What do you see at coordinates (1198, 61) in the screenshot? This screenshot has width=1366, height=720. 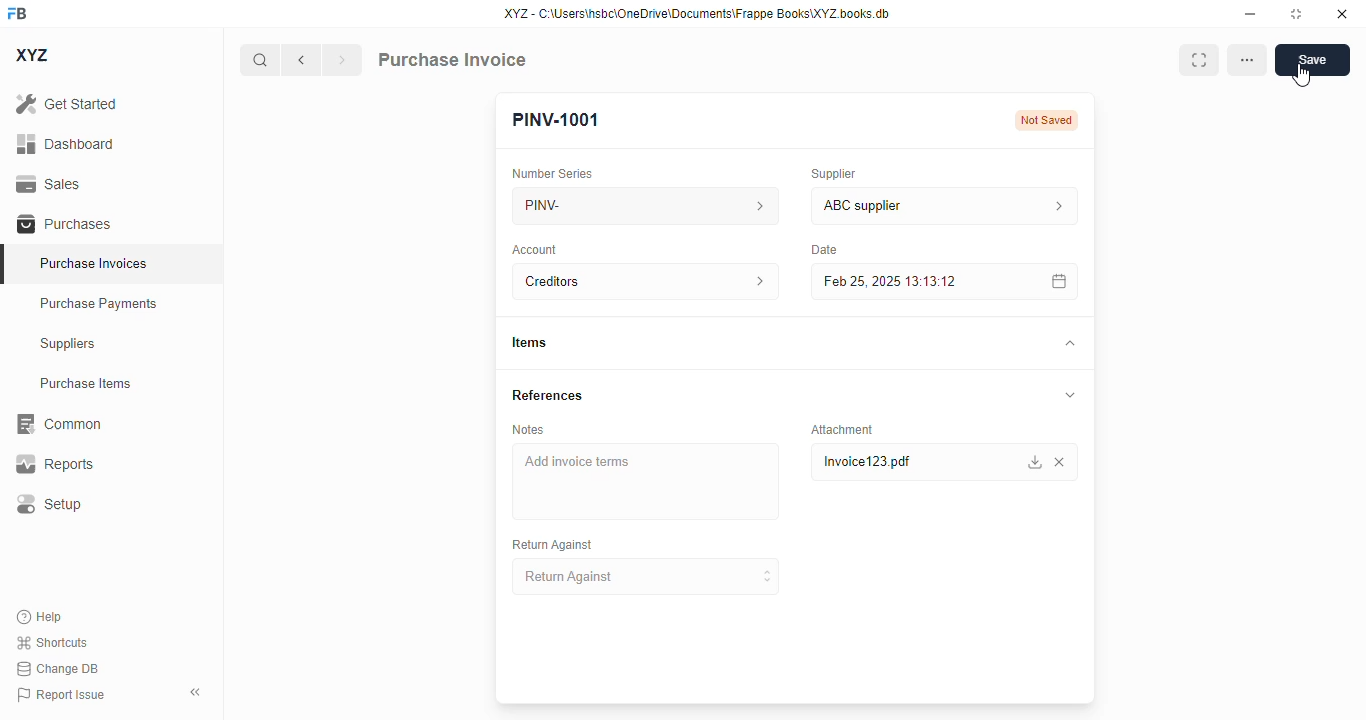 I see `toggle between form and full width` at bounding box center [1198, 61].